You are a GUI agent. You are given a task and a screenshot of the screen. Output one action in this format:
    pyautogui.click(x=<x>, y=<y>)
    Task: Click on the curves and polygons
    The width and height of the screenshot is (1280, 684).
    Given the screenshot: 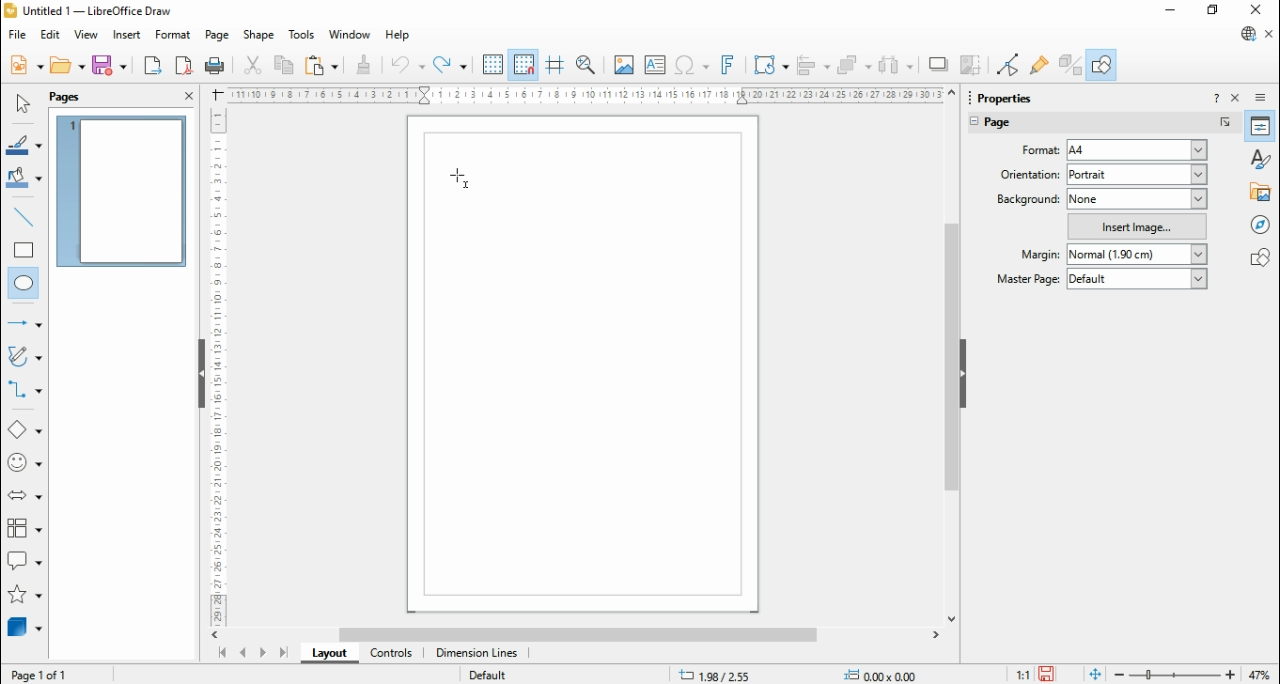 What is the action you would take?
    pyautogui.click(x=26, y=357)
    